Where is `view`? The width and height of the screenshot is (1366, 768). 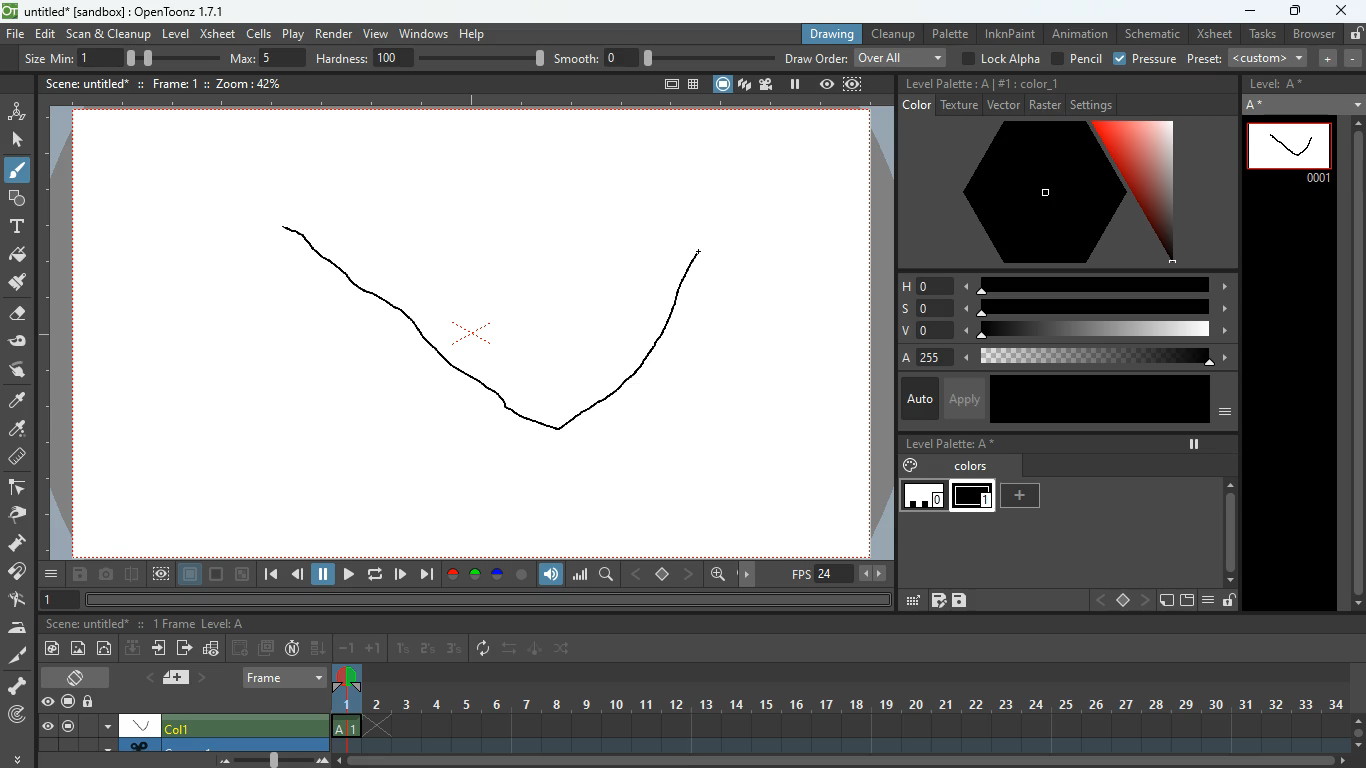 view is located at coordinates (374, 31).